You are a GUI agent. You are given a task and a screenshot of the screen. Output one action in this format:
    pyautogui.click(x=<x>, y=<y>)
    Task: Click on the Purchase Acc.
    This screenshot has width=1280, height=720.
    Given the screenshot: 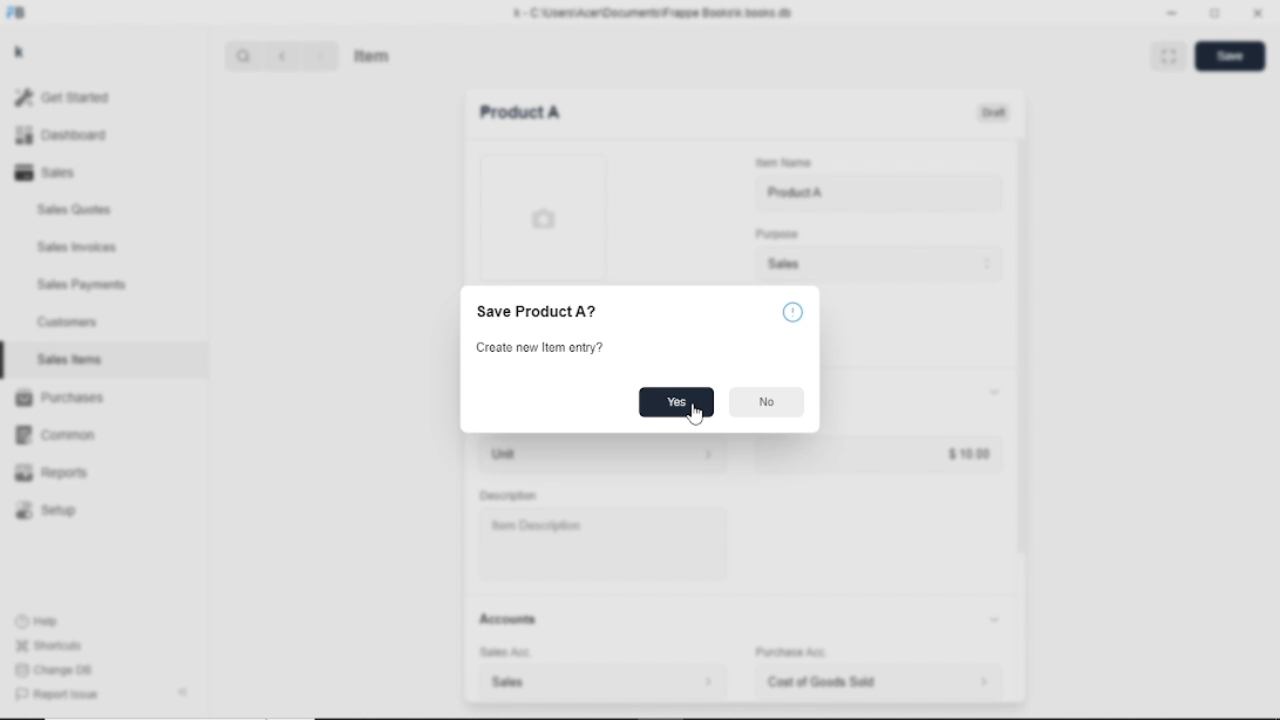 What is the action you would take?
    pyautogui.click(x=790, y=653)
    